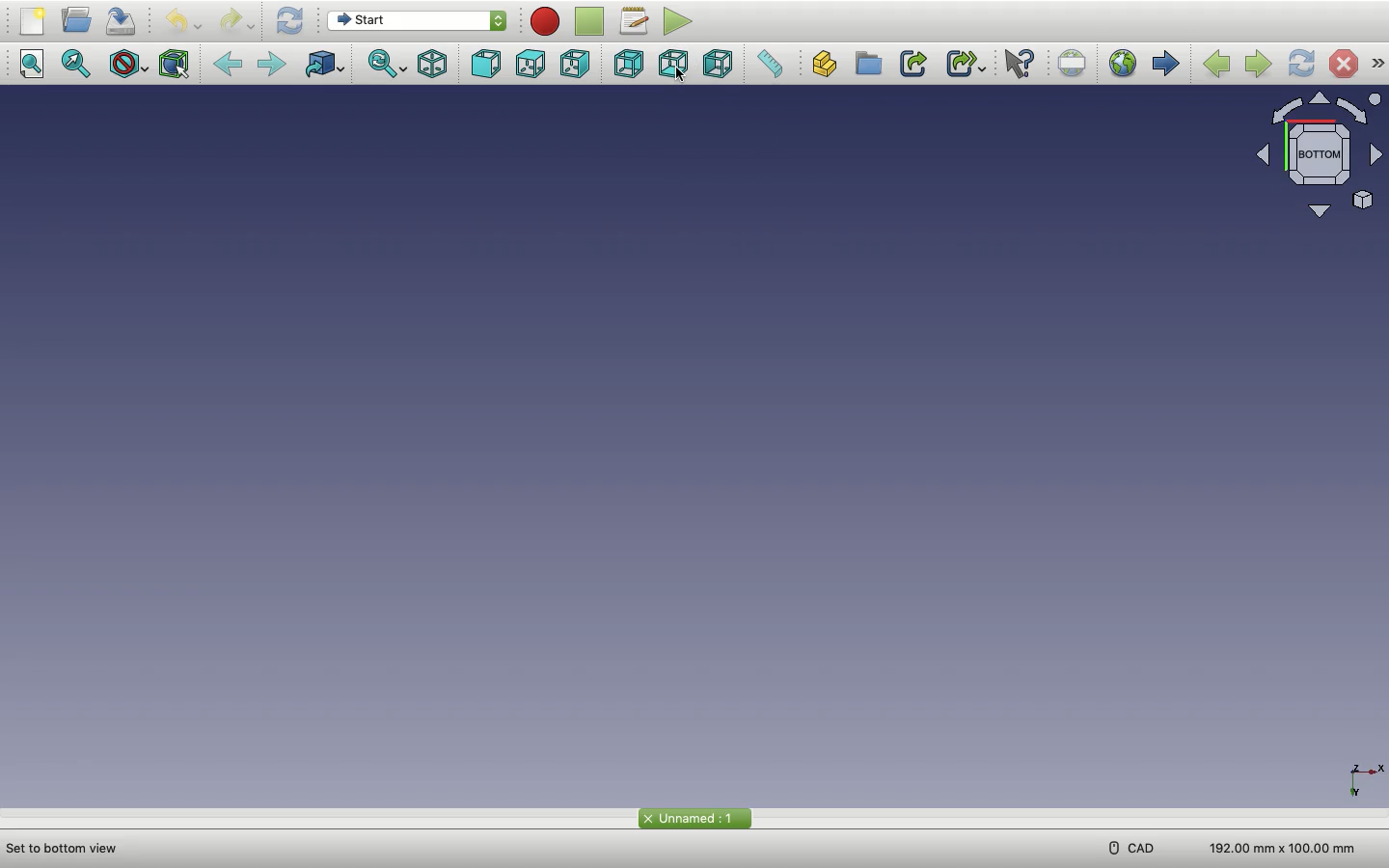  What do you see at coordinates (36, 65) in the screenshot?
I see `Fit all` at bounding box center [36, 65].